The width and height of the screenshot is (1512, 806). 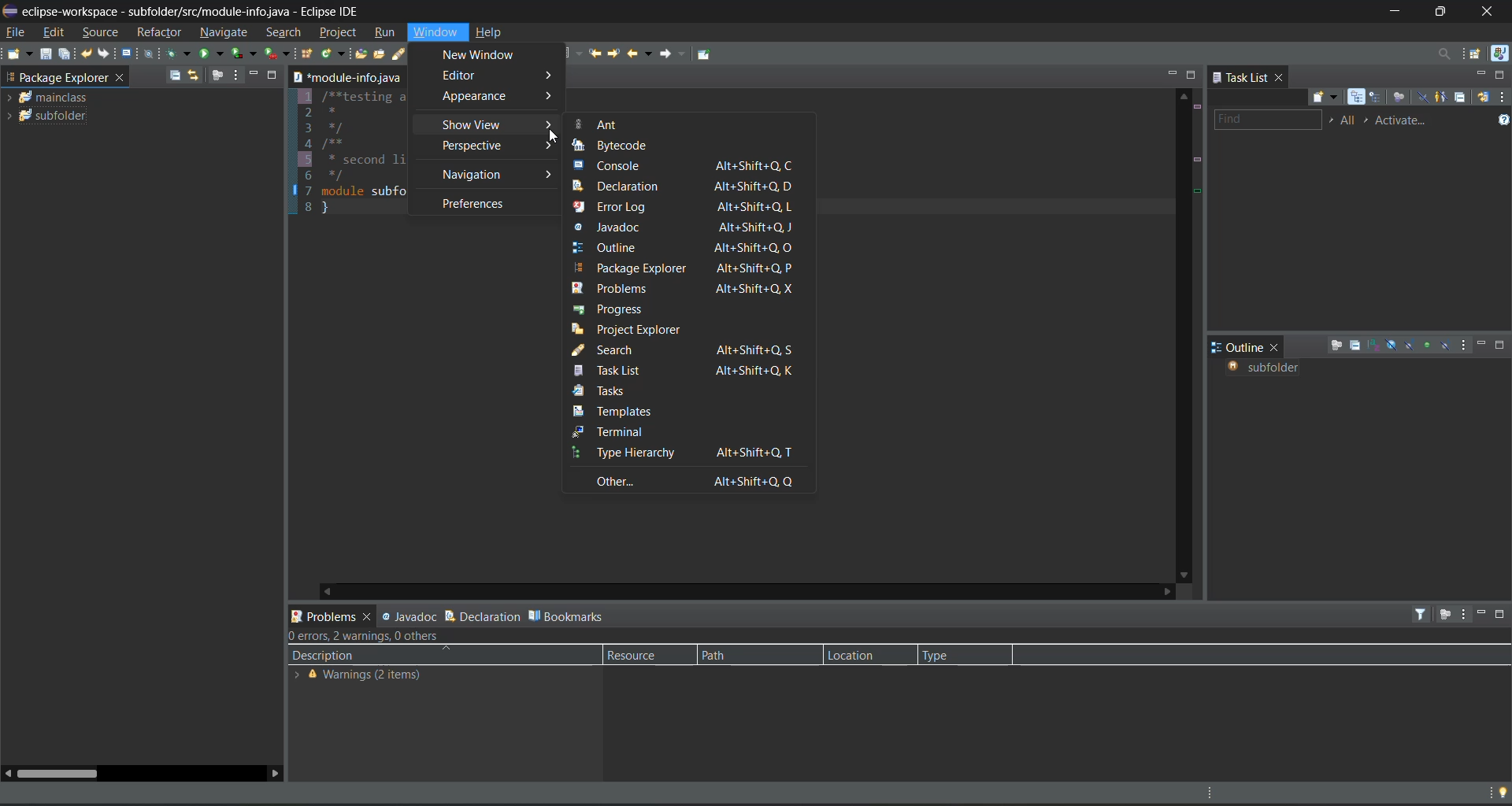 I want to click on window, so click(x=437, y=32).